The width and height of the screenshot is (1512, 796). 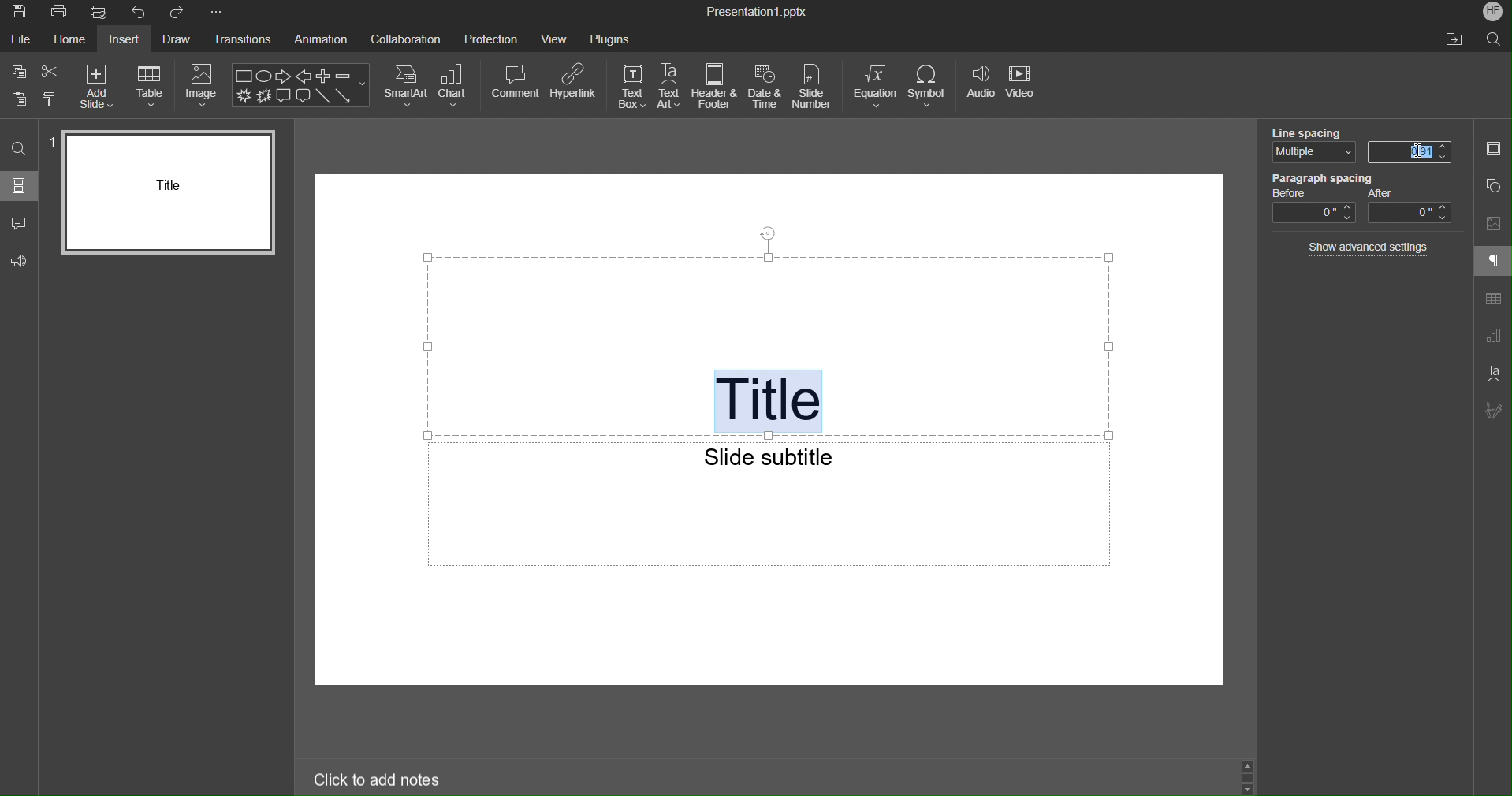 I want to click on After, so click(x=1411, y=206).